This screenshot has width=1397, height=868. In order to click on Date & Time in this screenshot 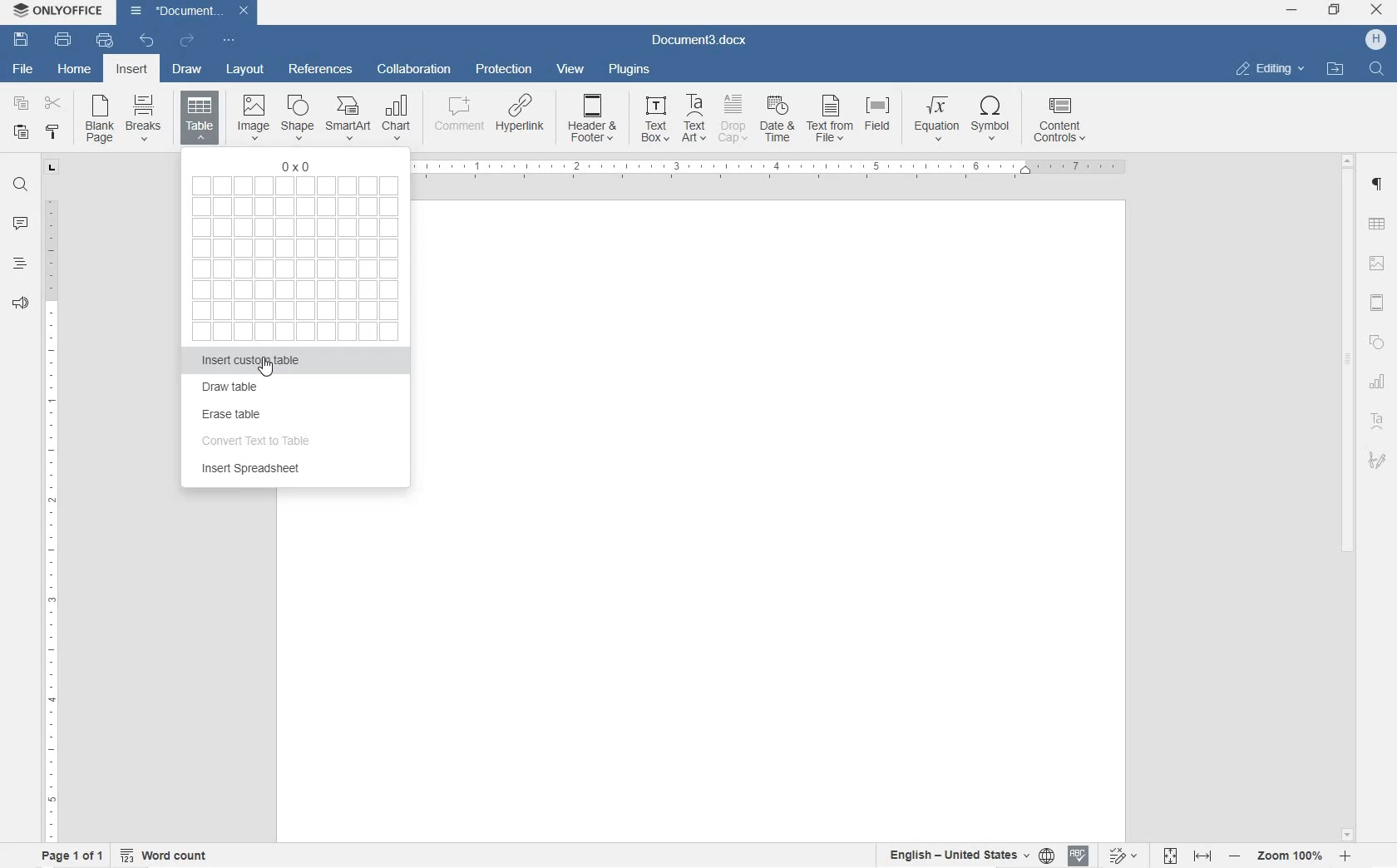, I will do `click(779, 121)`.